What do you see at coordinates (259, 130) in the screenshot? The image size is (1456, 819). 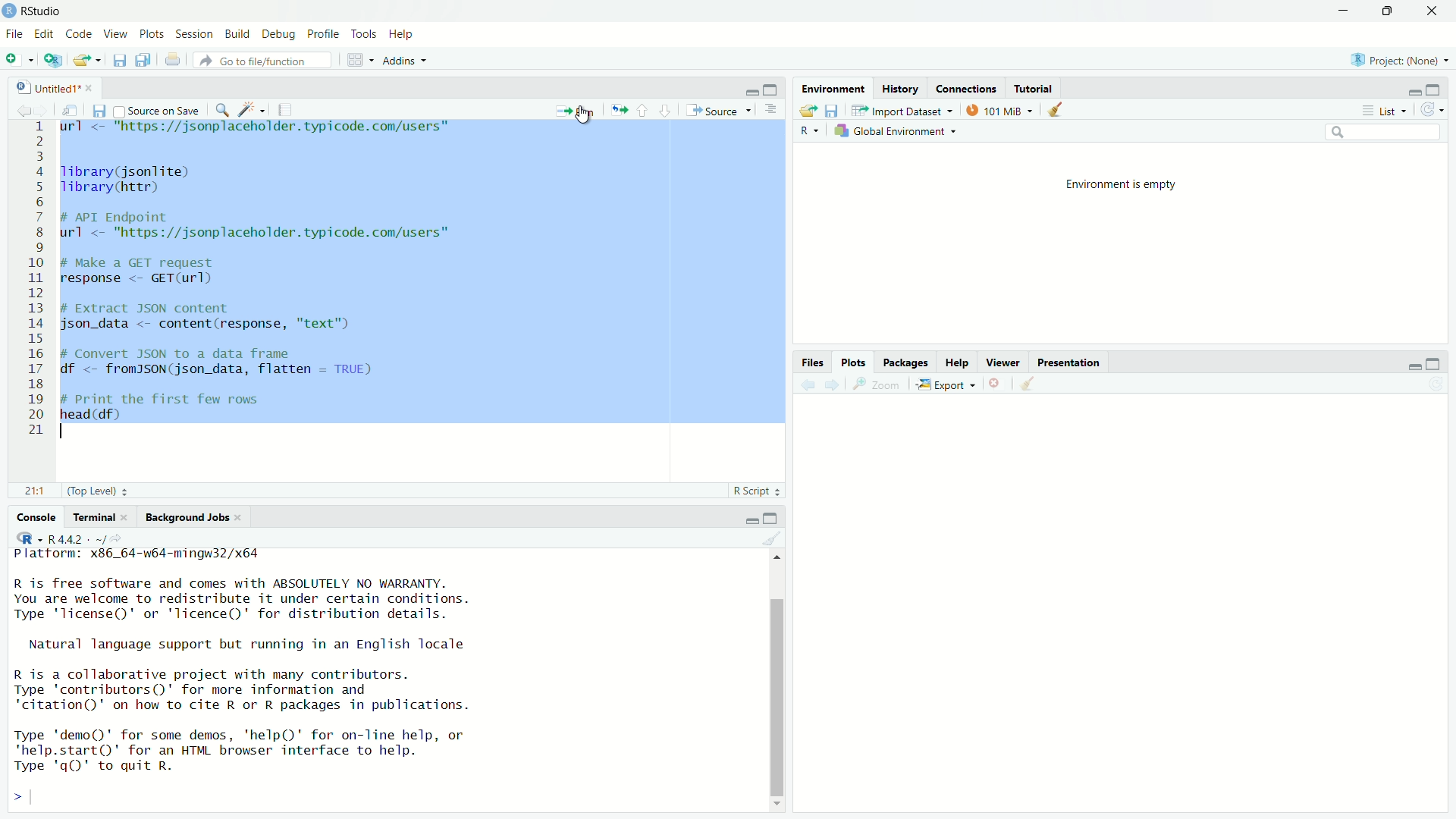 I see `url <- "https://jsonplaceholder.typicode.com/users` at bounding box center [259, 130].